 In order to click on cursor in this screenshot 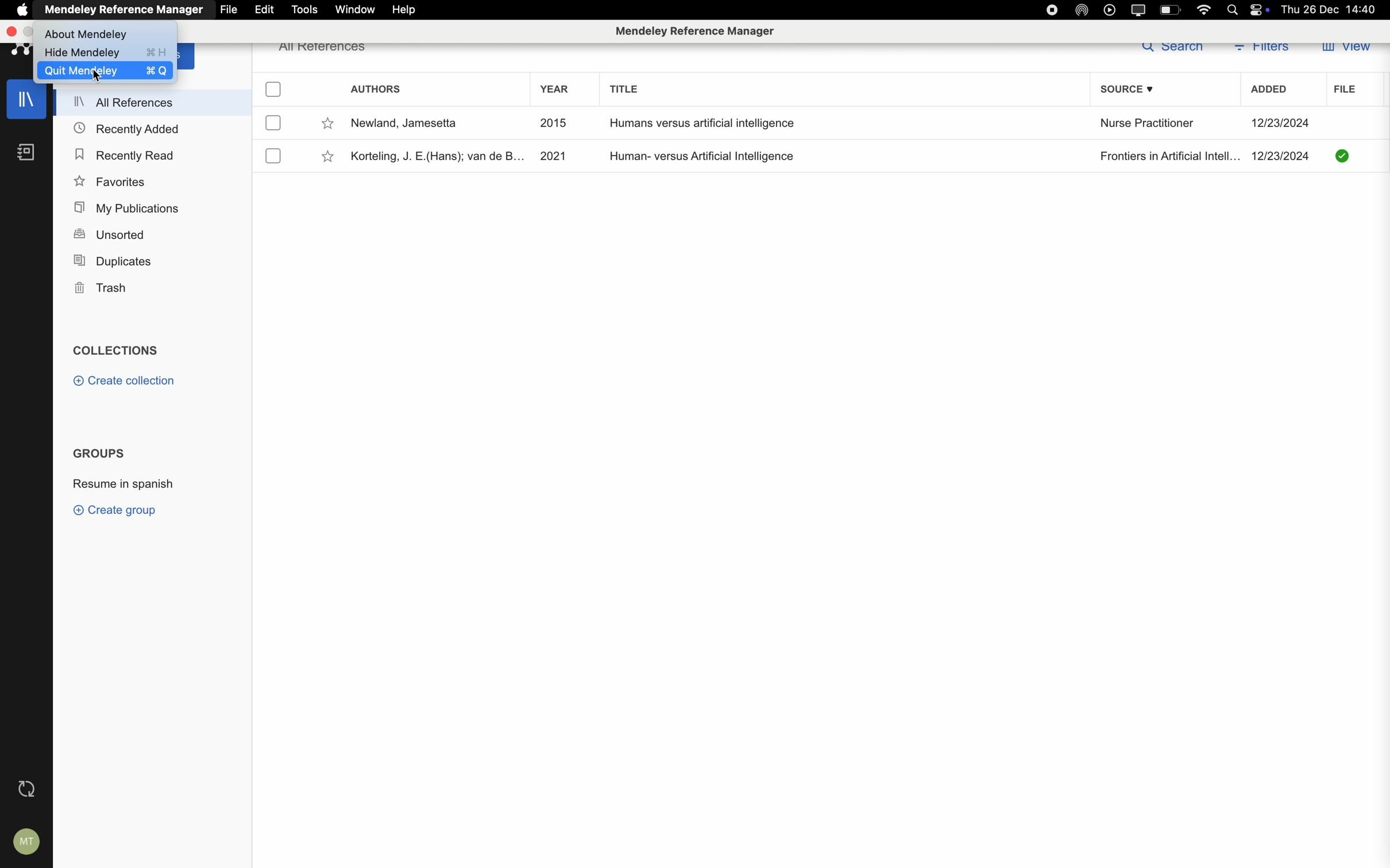, I will do `click(90, 72)`.